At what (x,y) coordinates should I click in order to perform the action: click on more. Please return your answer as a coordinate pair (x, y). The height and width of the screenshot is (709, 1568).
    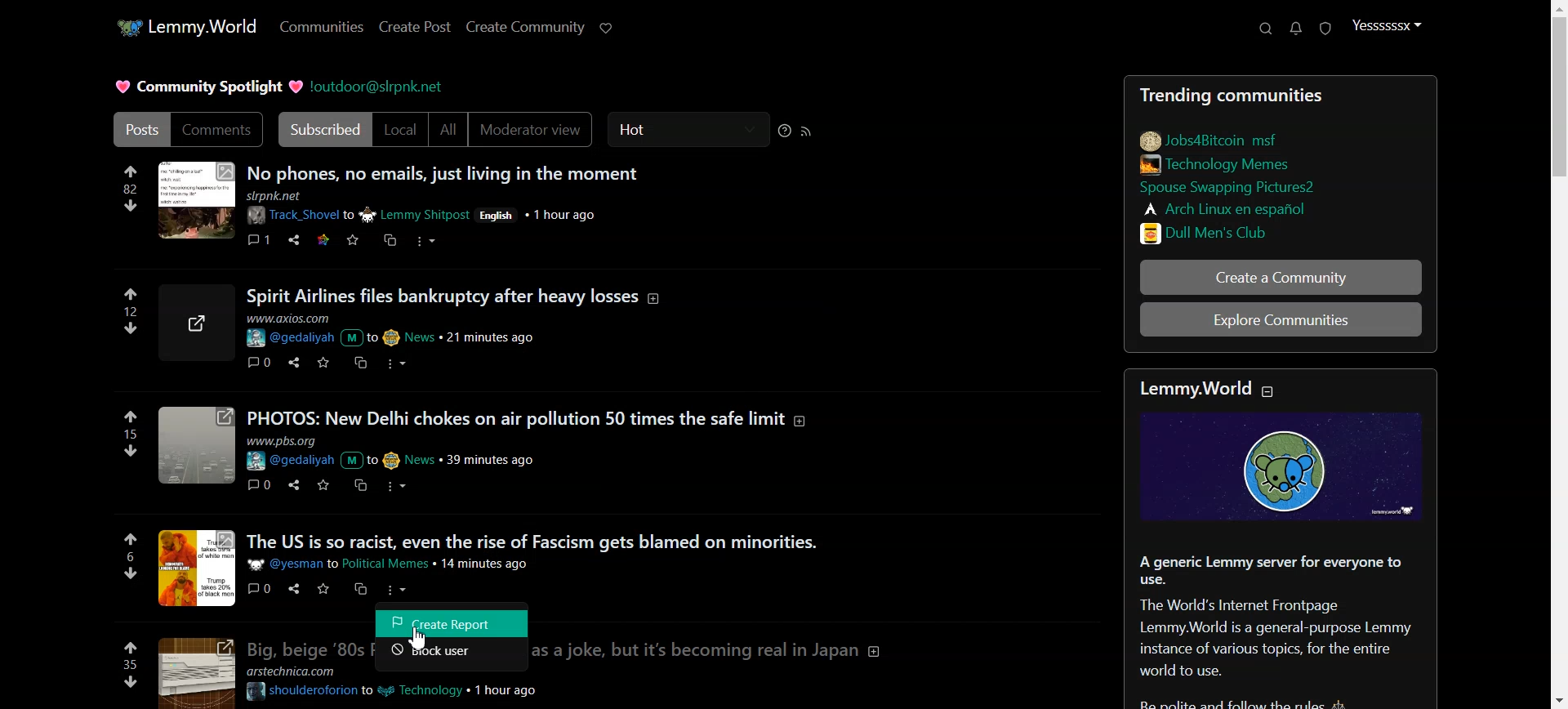
    Looking at the image, I should click on (401, 486).